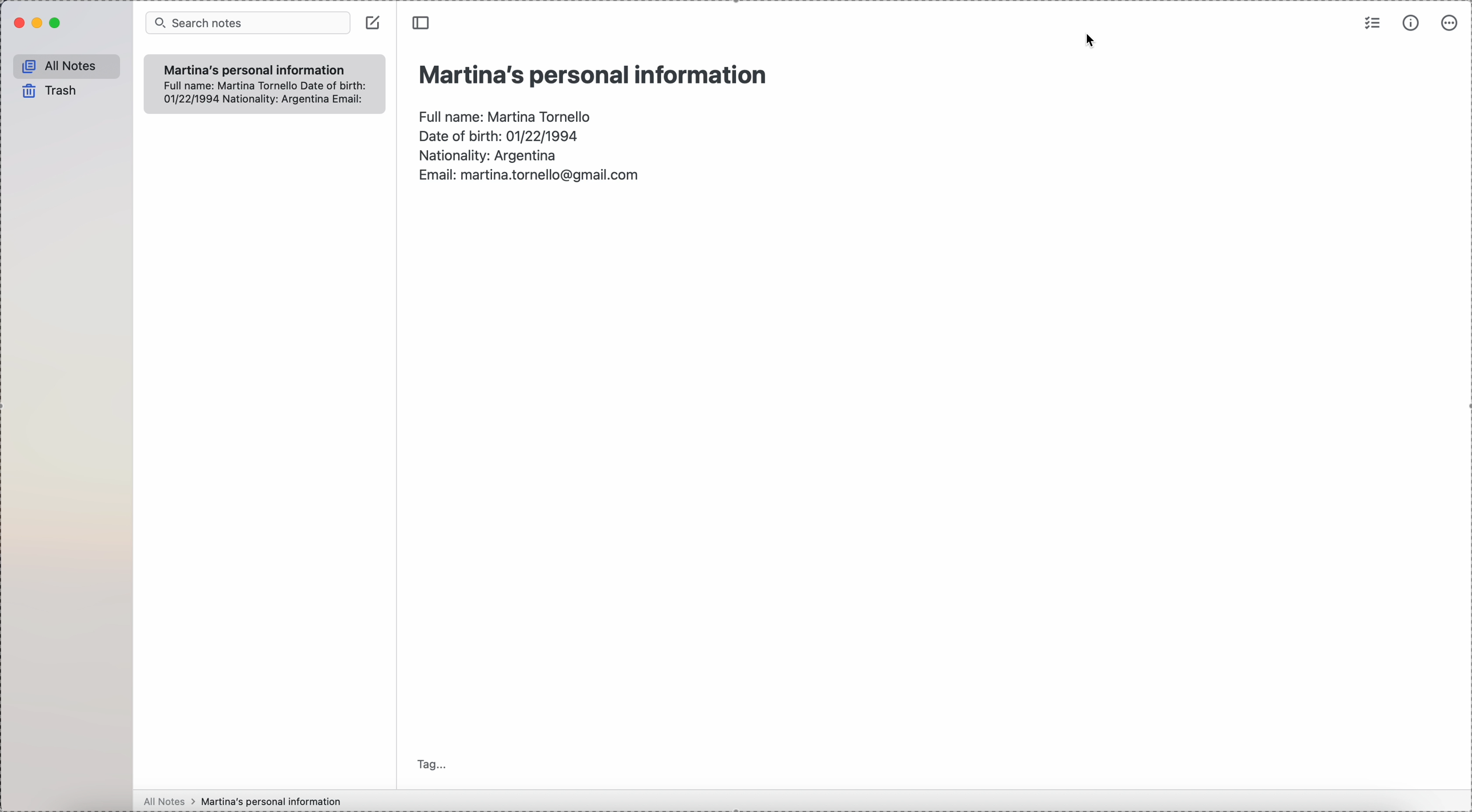  I want to click on cursor, so click(1091, 40).